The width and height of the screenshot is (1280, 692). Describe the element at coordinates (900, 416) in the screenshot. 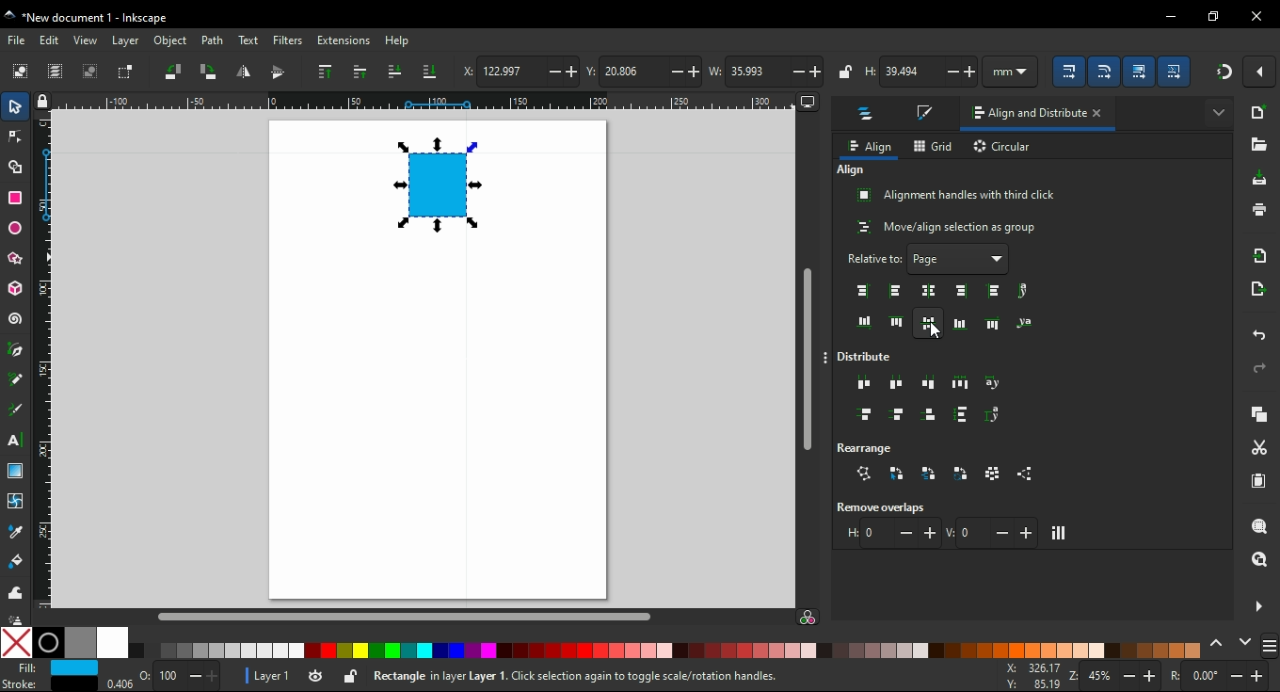

I see `distribute vertically with even spacing between centers` at that location.